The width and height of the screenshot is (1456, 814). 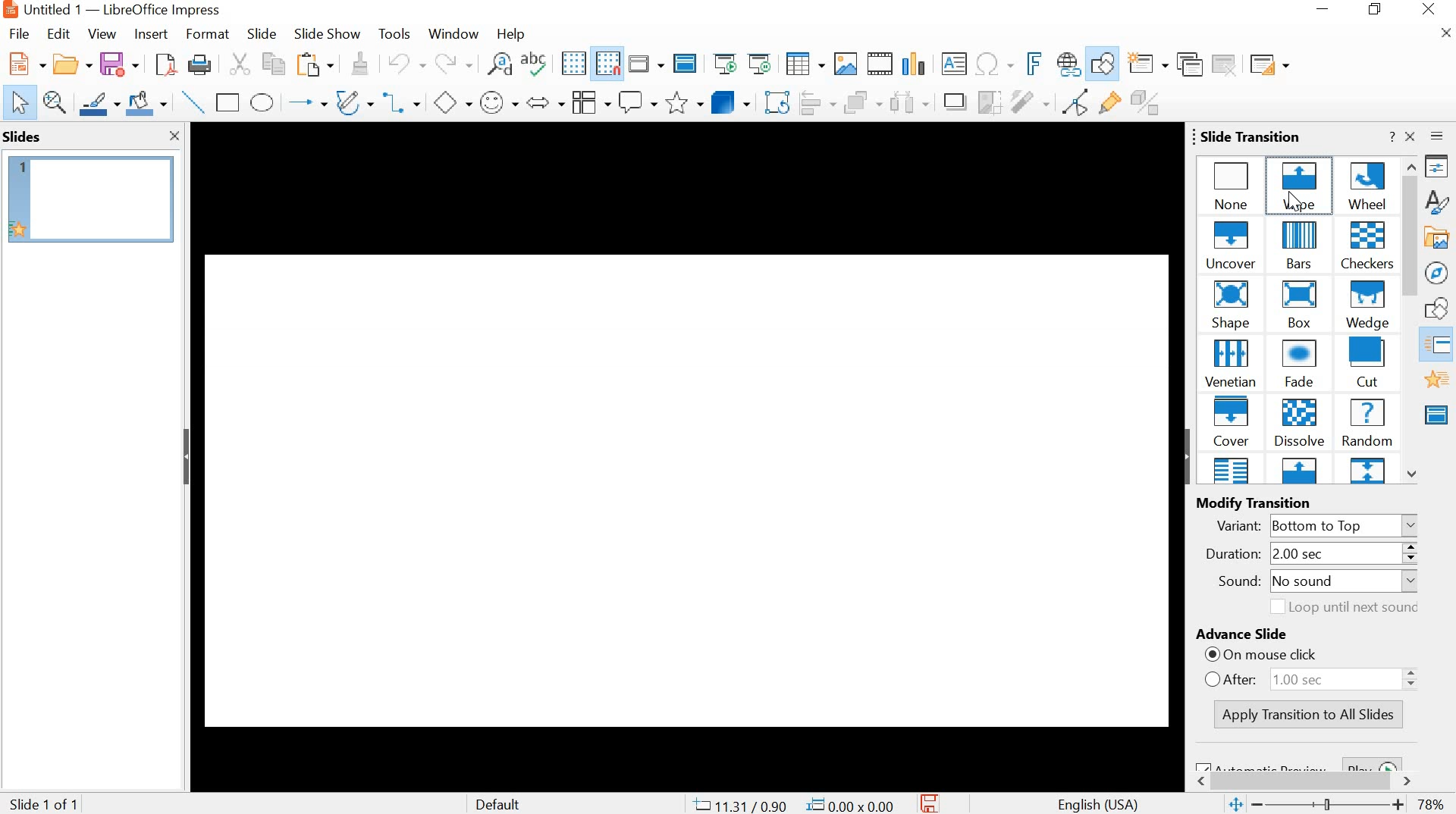 I want to click on File name, so click(x=110, y=10).